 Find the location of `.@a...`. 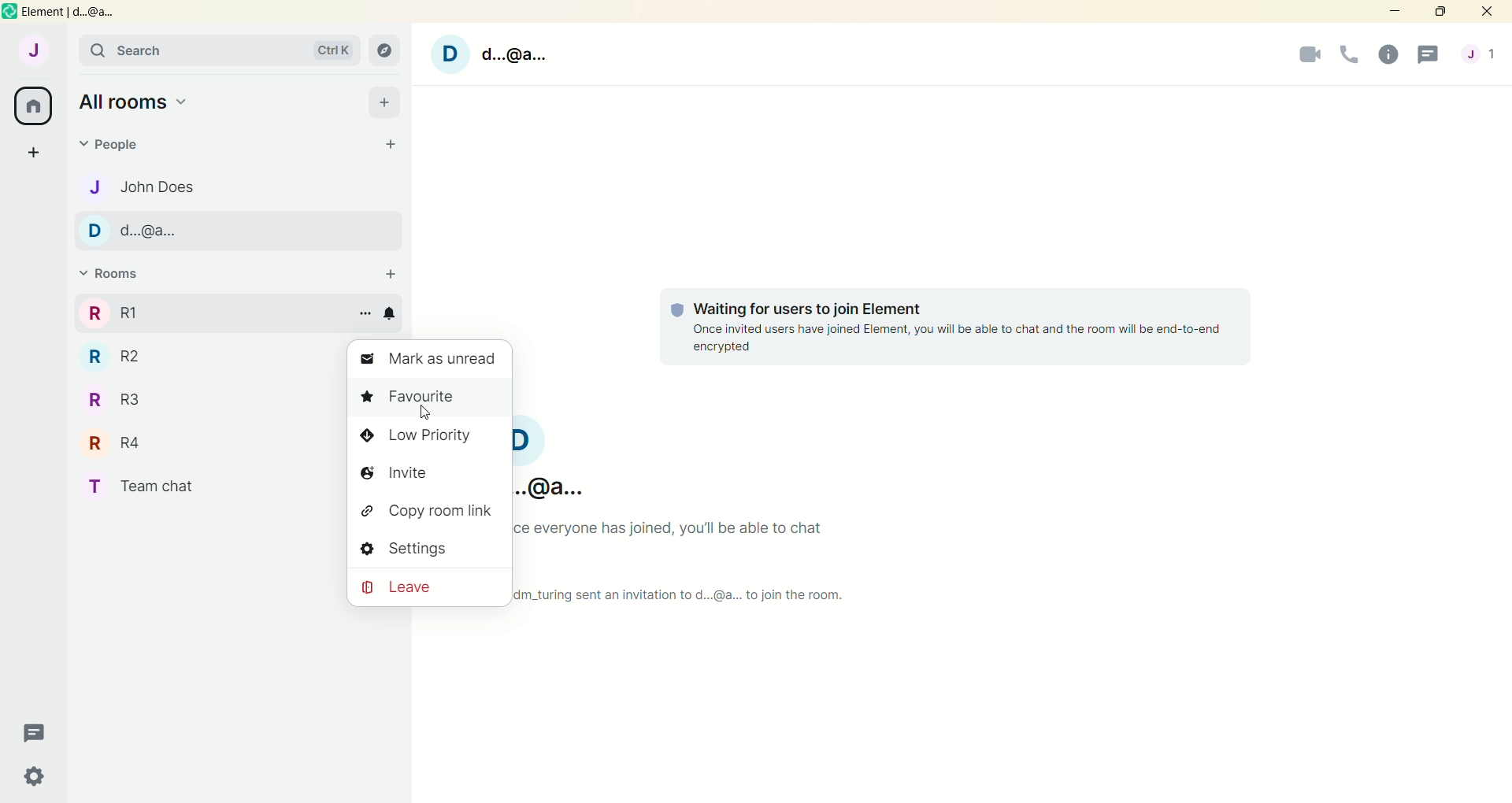

.@a... is located at coordinates (552, 486).